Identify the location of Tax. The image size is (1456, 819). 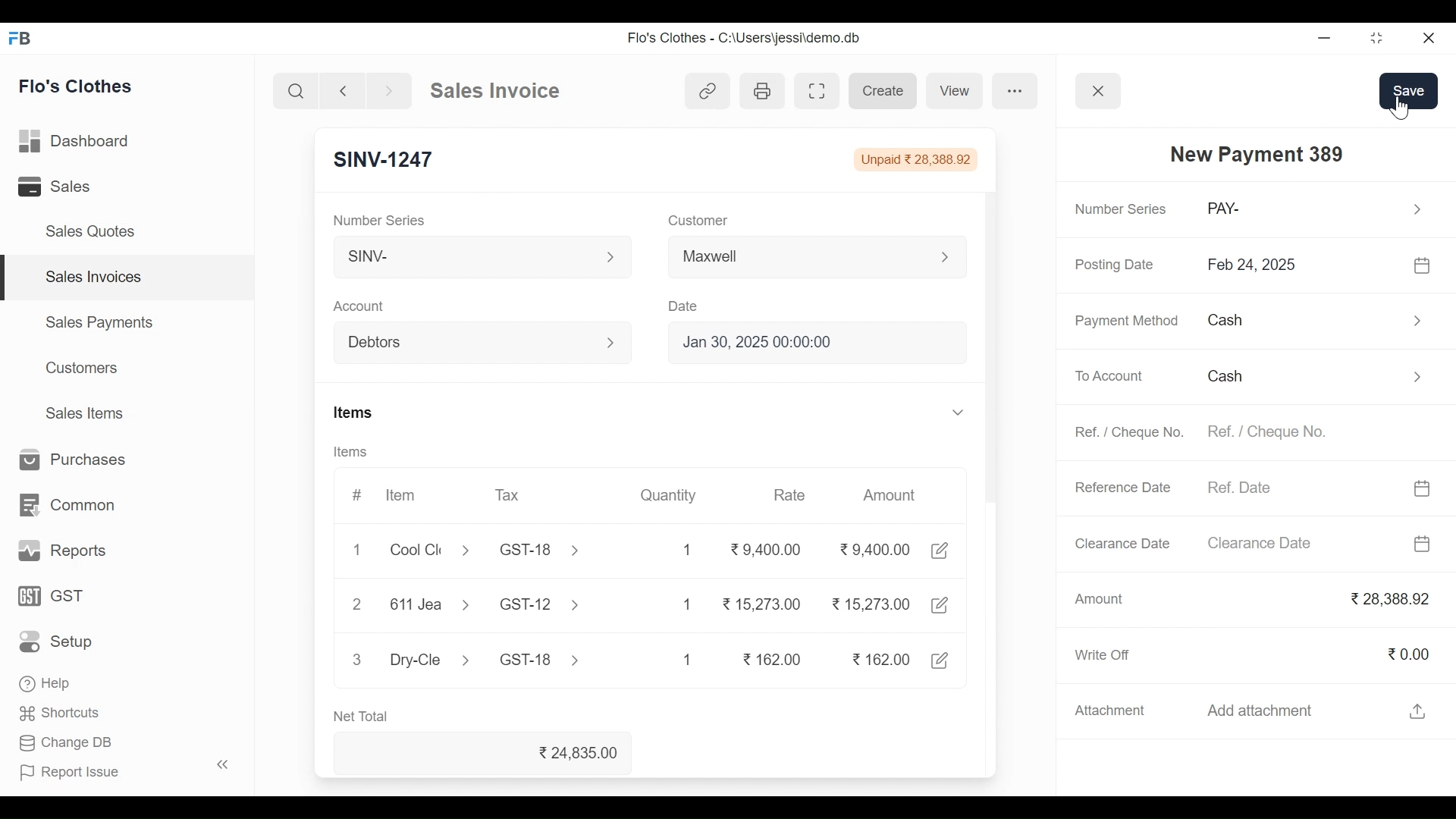
(511, 495).